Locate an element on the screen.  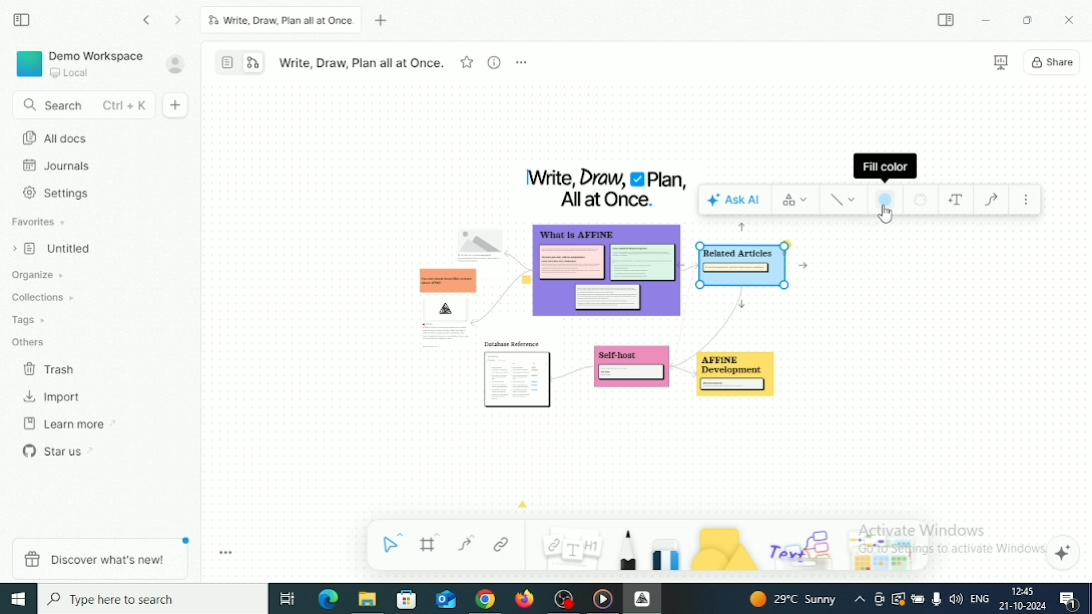
Account is located at coordinates (176, 64).